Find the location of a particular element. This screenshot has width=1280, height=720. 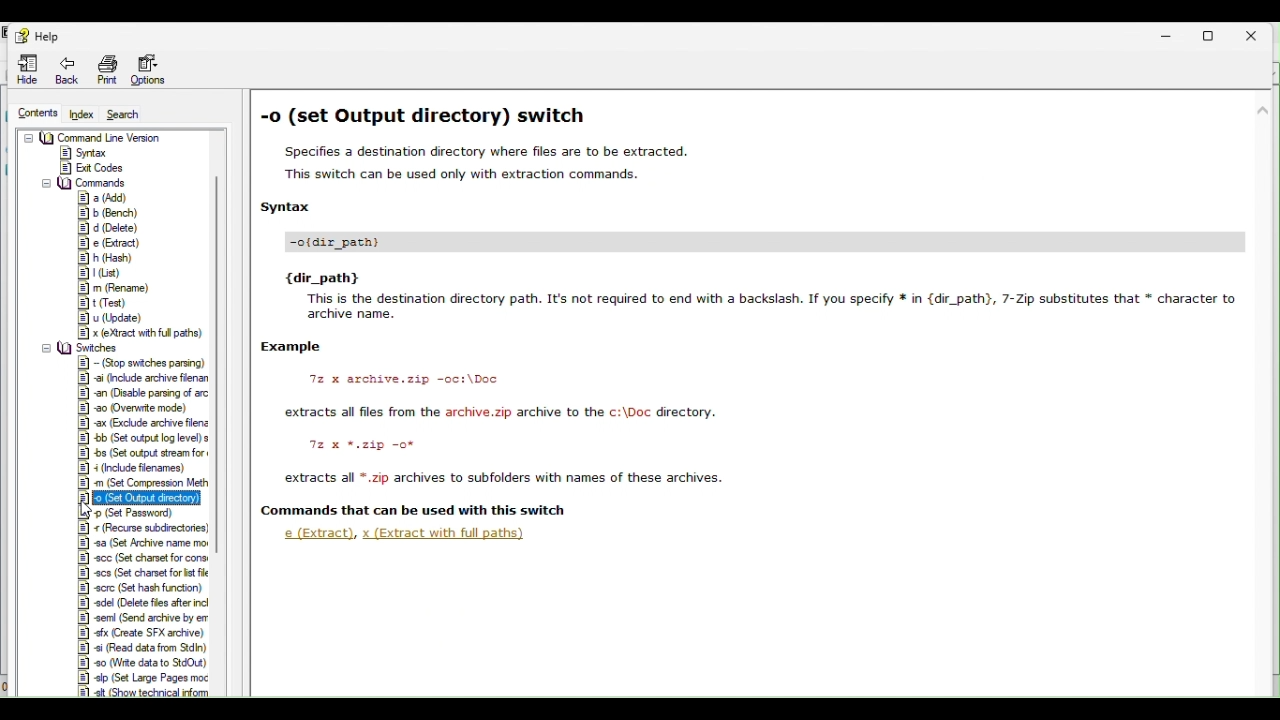

Commands is located at coordinates (83, 181).